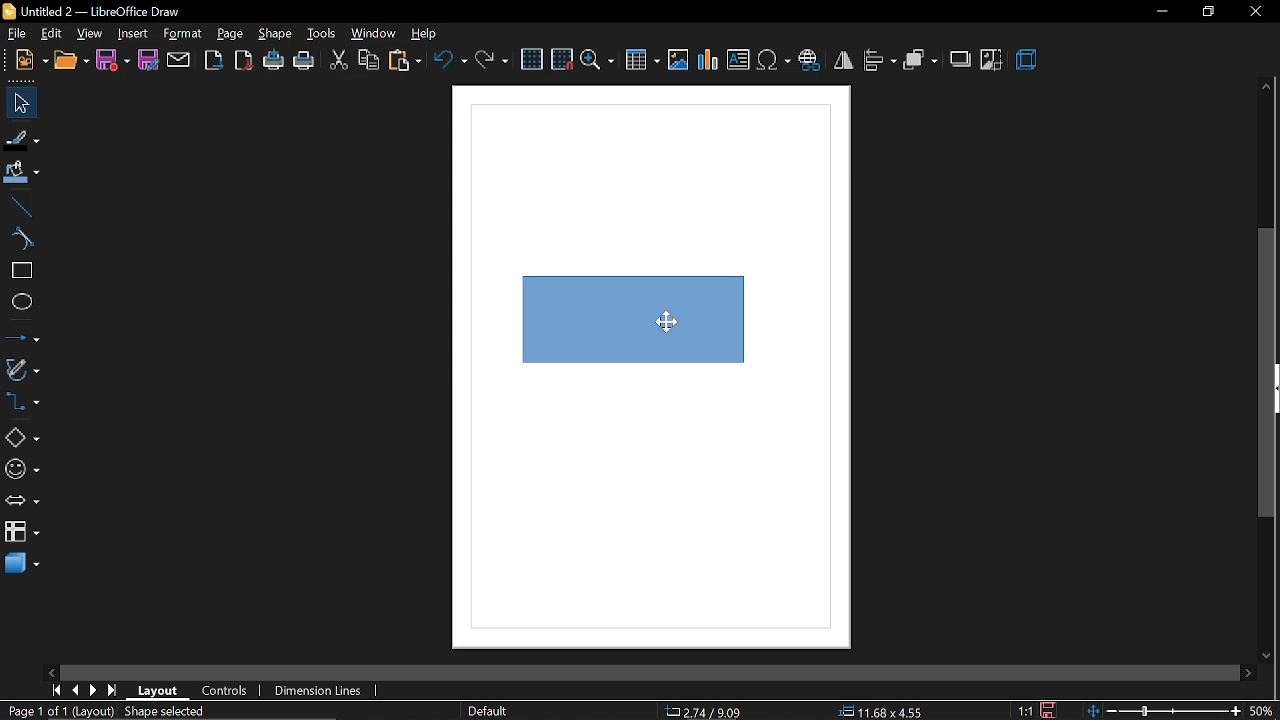  I want to click on Current shape, so click(642, 333).